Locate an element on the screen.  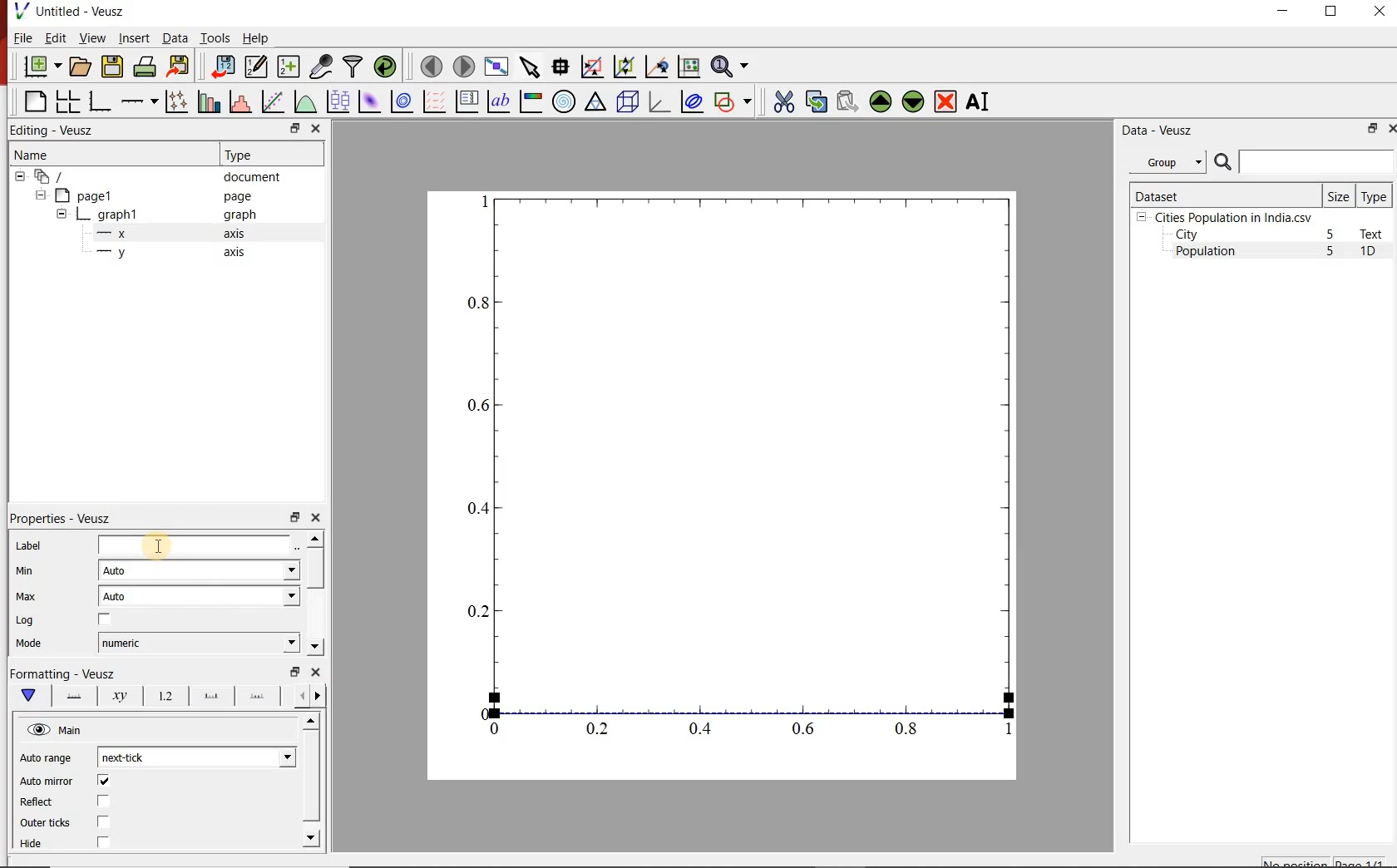
base graph is located at coordinates (98, 101).